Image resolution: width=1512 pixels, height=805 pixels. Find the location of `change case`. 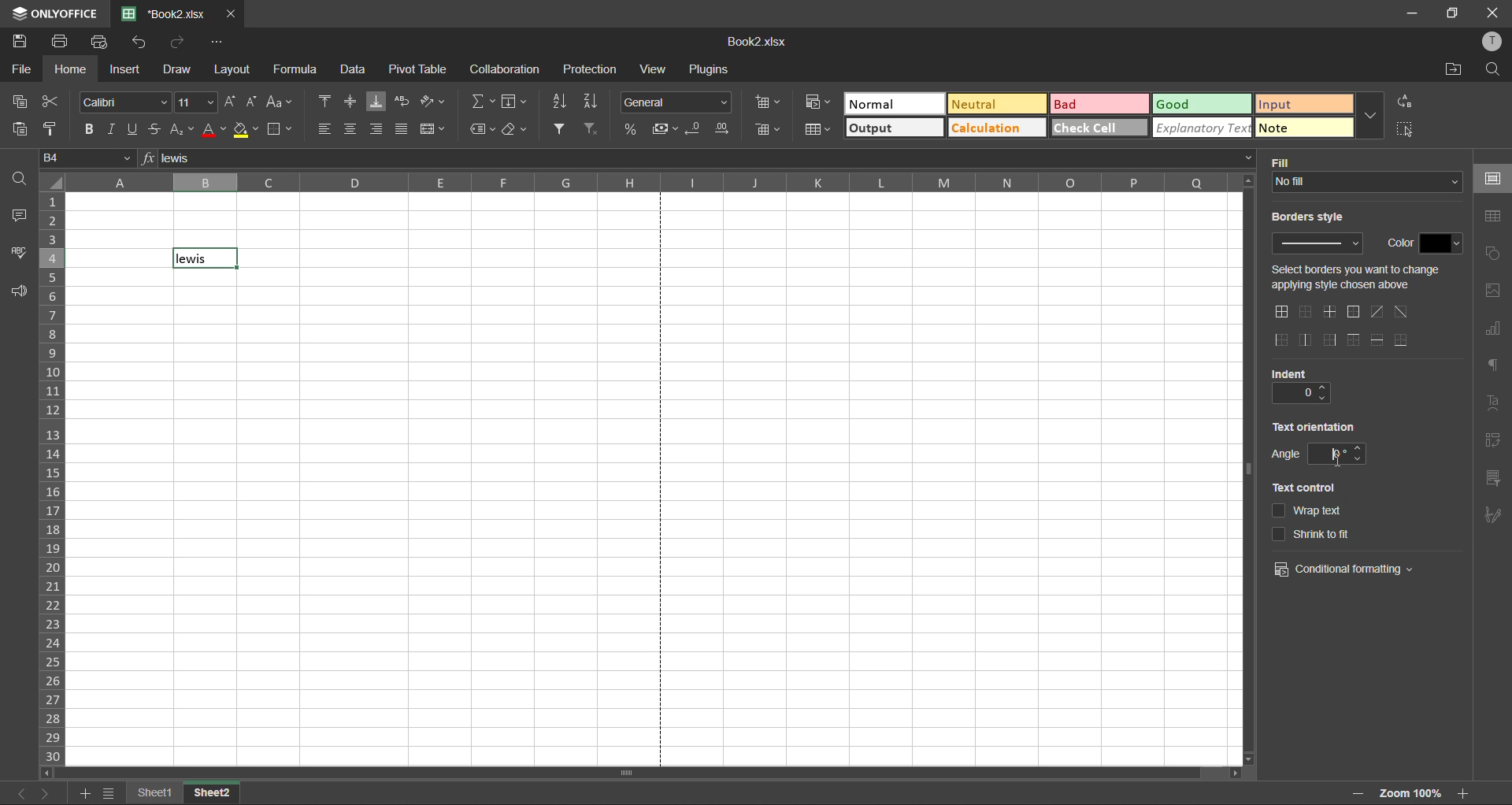

change case is located at coordinates (282, 102).